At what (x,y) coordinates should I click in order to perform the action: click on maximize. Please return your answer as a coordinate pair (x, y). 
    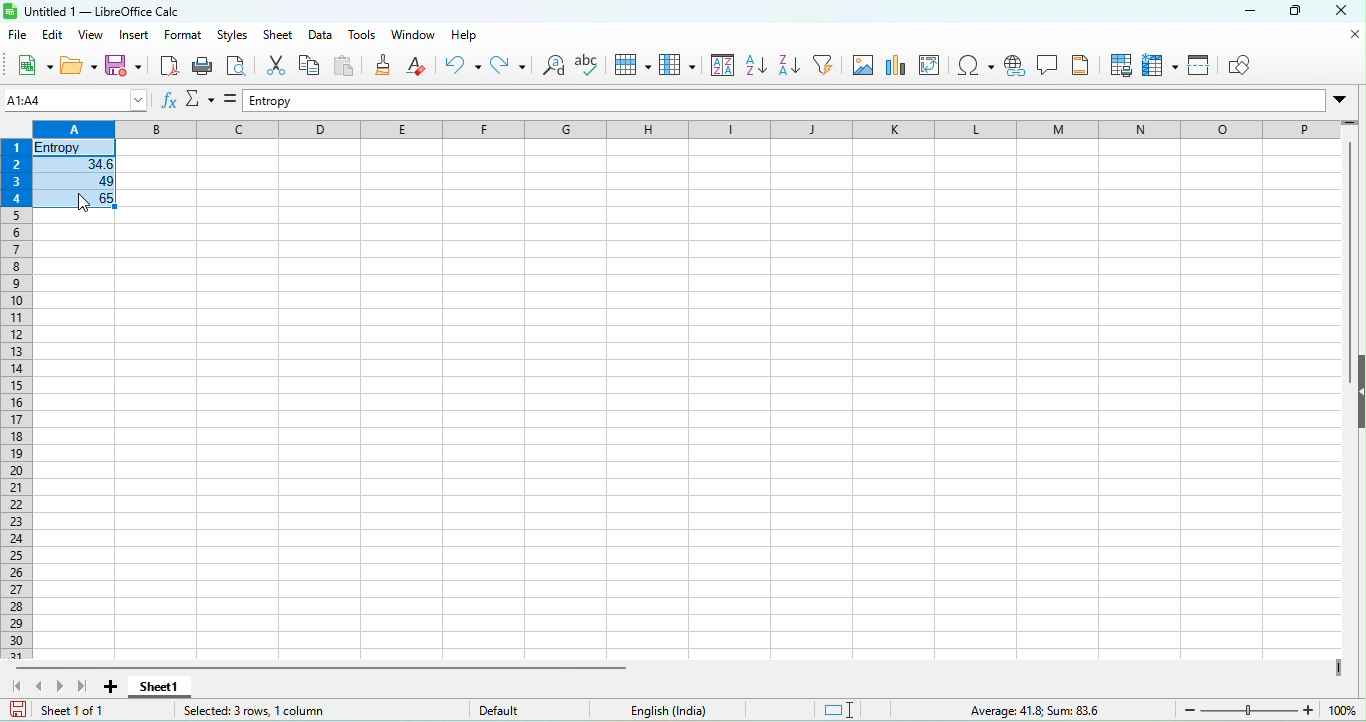
    Looking at the image, I should click on (1299, 13).